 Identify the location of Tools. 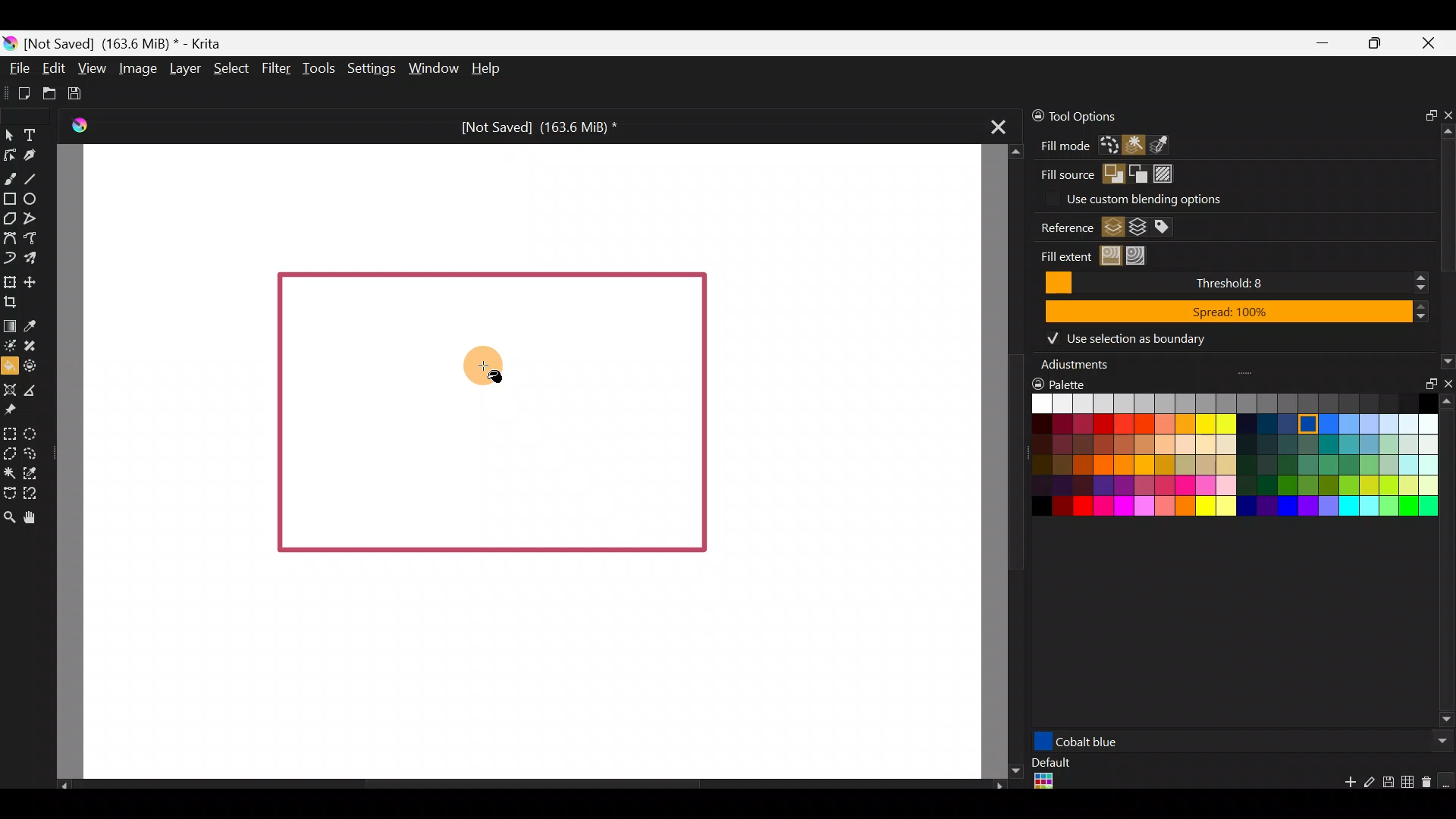
(315, 71).